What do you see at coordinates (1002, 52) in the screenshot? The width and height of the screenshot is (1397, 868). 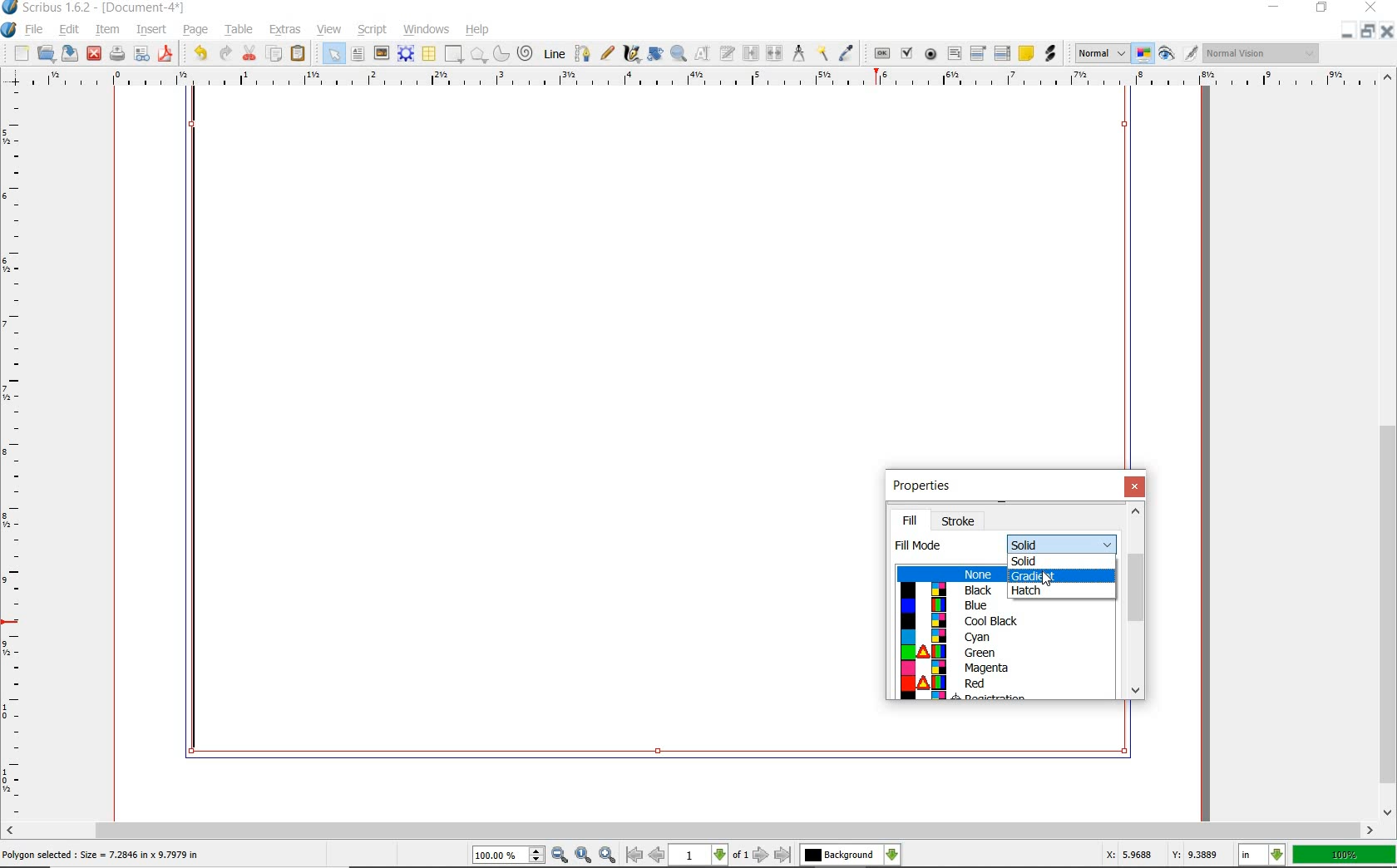 I see `pdf list box` at bounding box center [1002, 52].